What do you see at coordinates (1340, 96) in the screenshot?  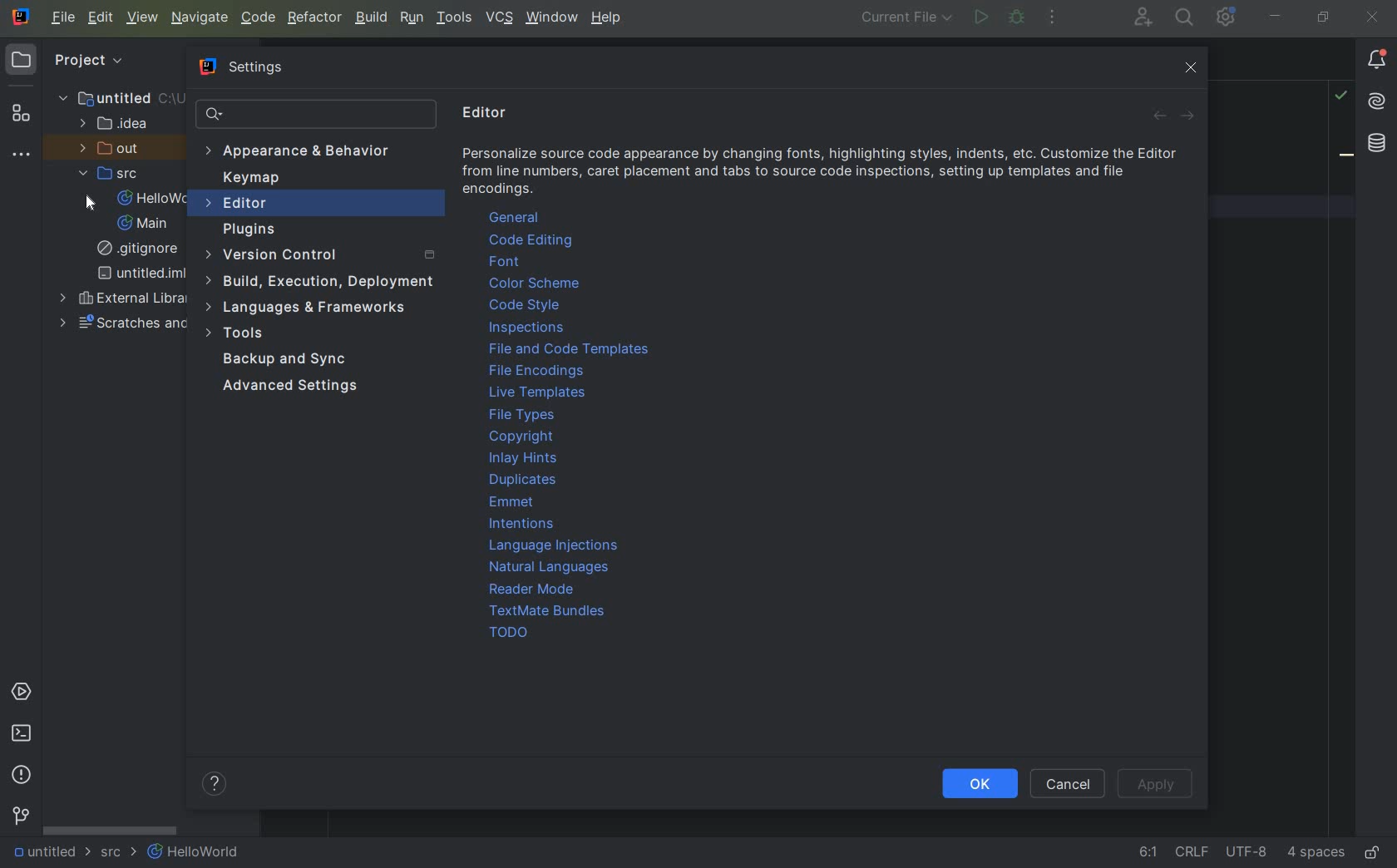 I see `highlight problems` at bounding box center [1340, 96].